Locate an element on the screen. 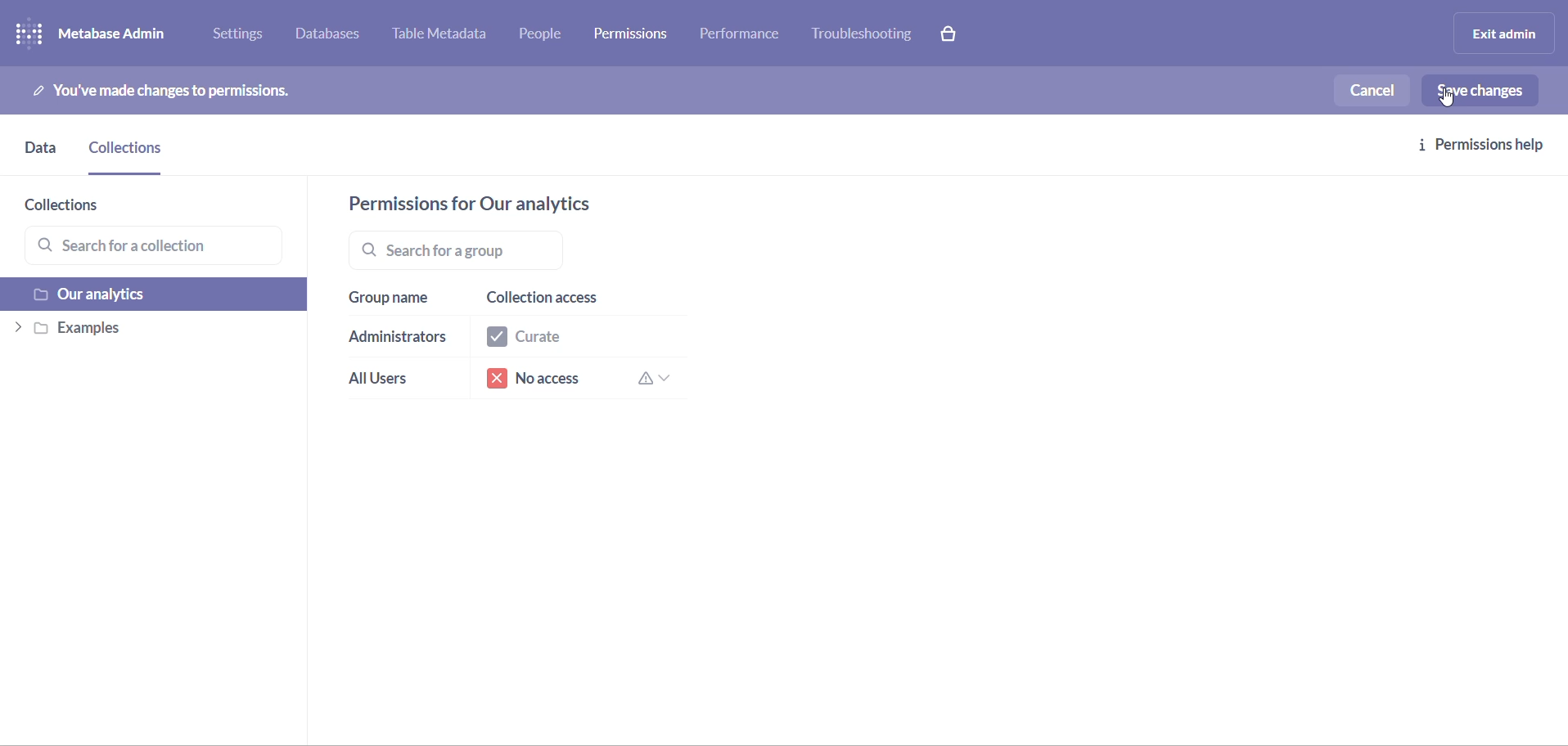 This screenshot has height=746, width=1568. text is located at coordinates (173, 91).